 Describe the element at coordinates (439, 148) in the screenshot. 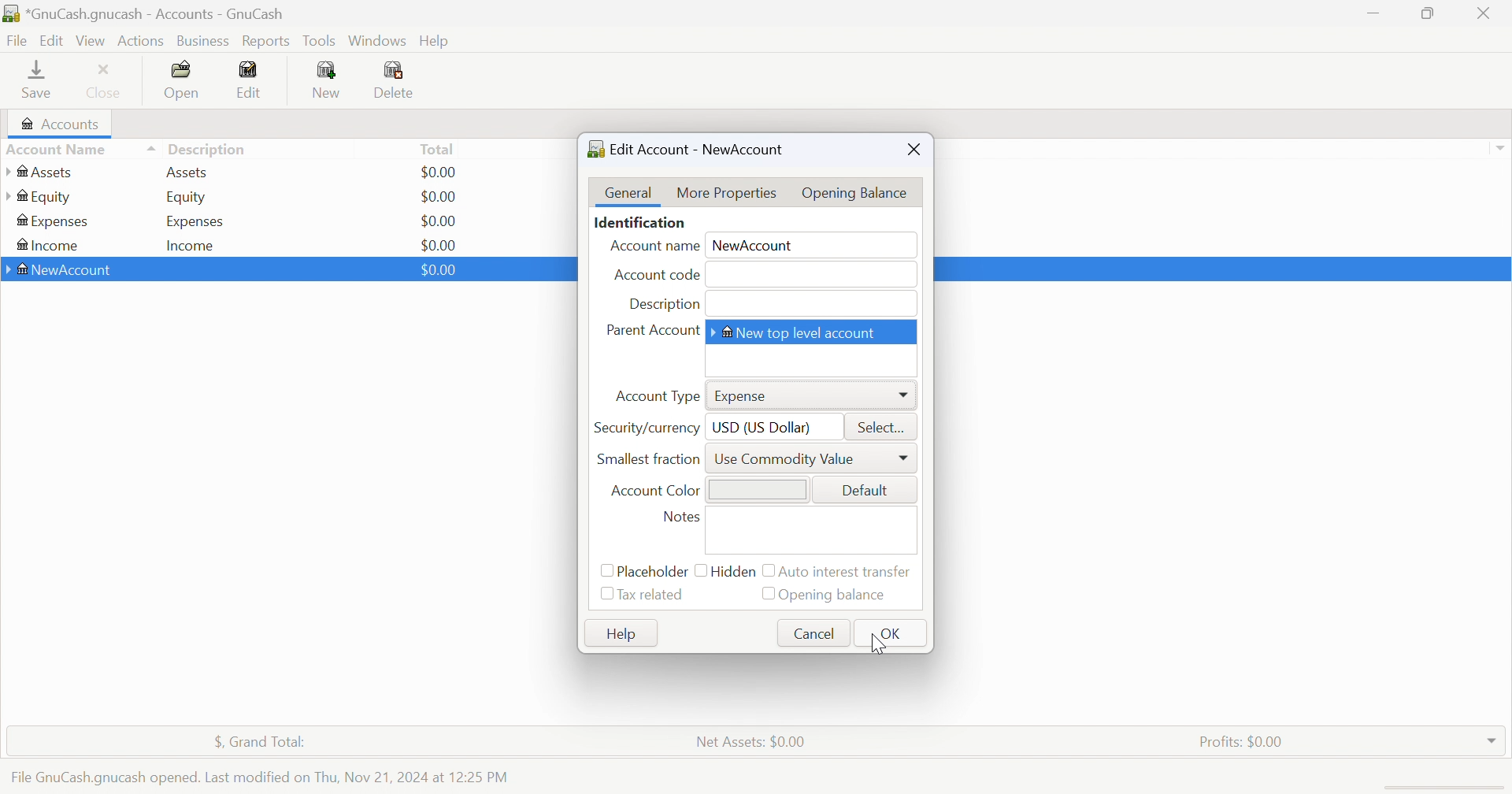

I see `Total` at that location.